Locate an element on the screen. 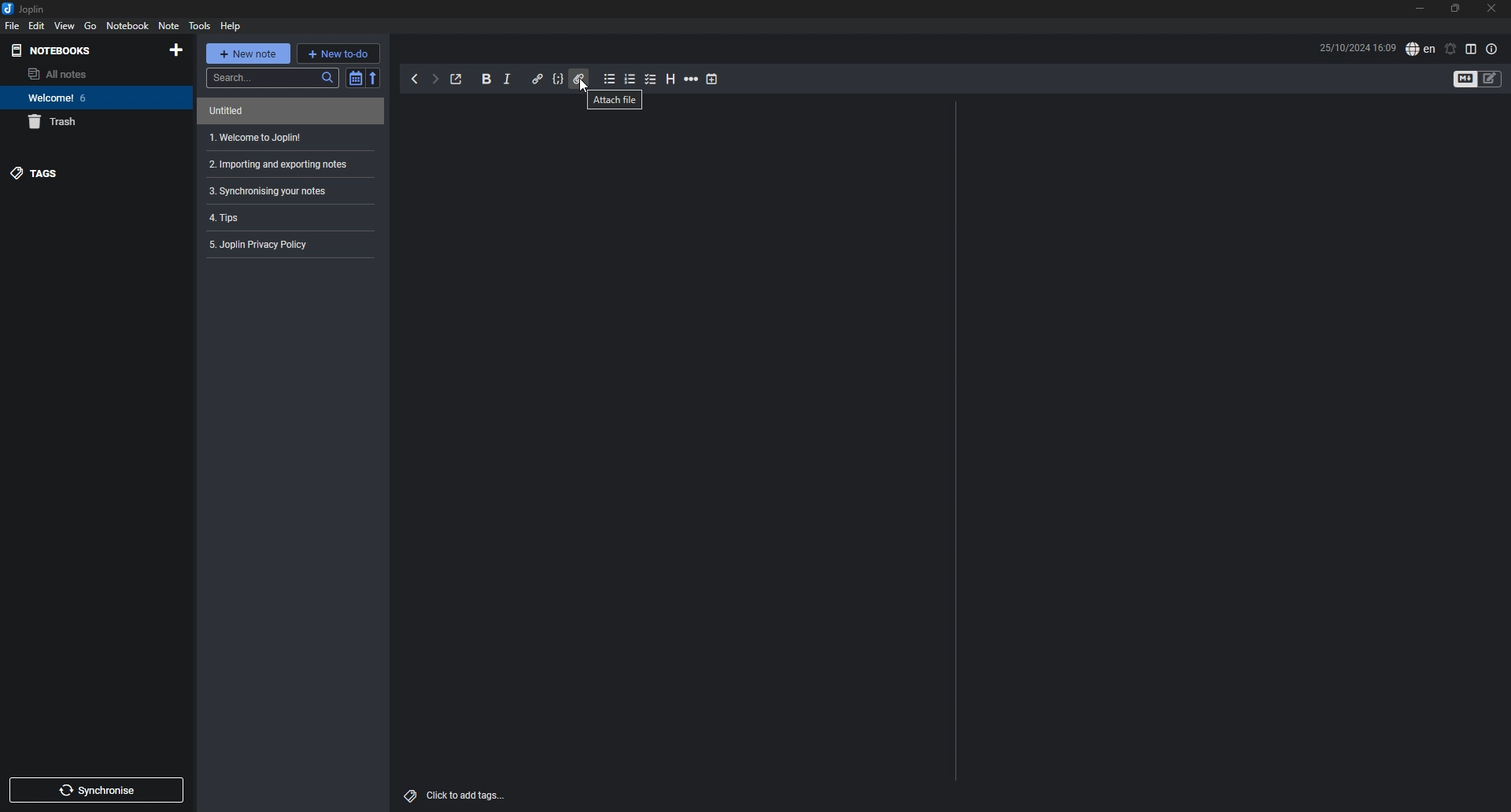 The width and height of the screenshot is (1511, 812). attach file is located at coordinates (615, 101).